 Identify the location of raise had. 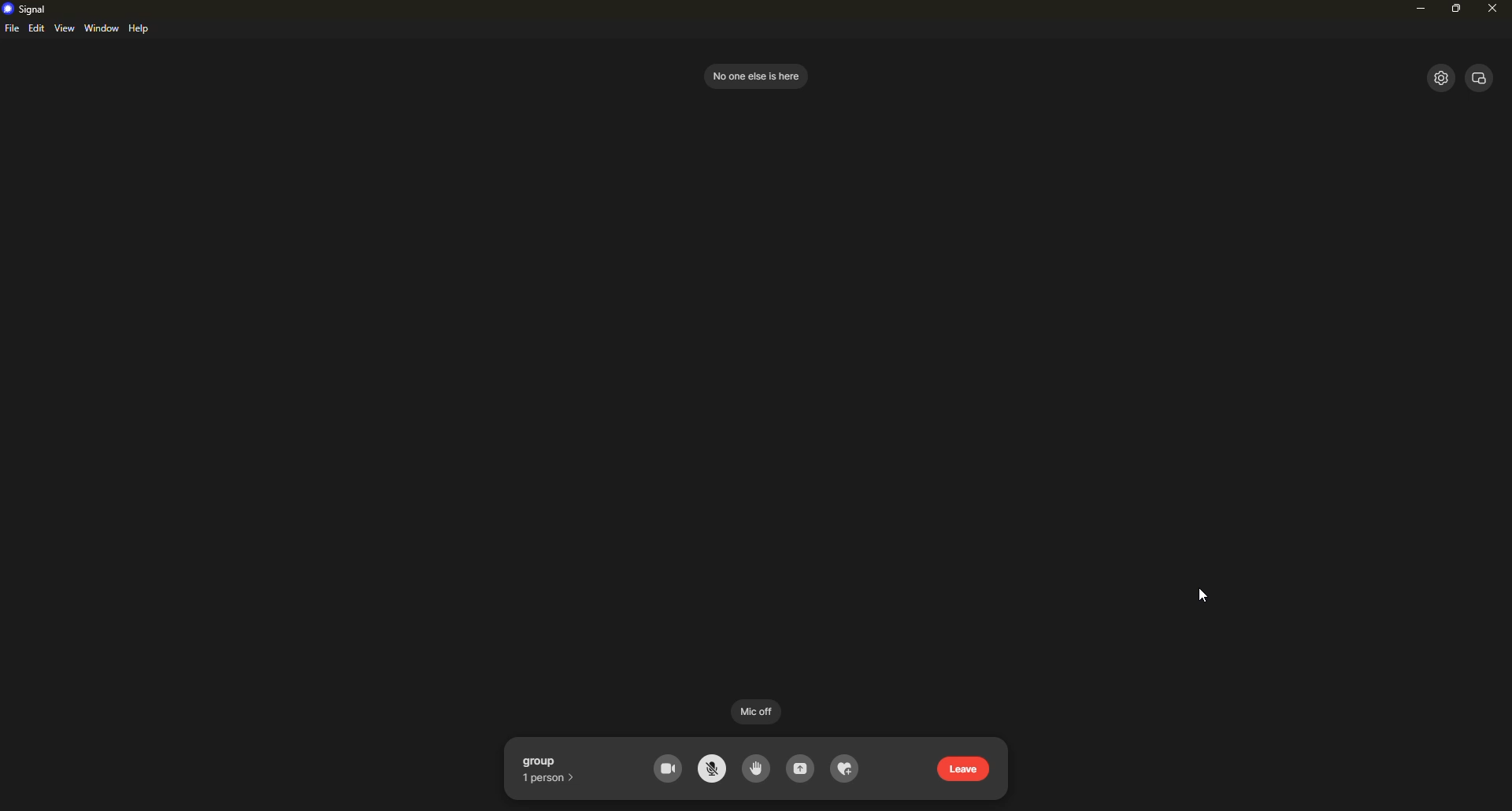
(754, 768).